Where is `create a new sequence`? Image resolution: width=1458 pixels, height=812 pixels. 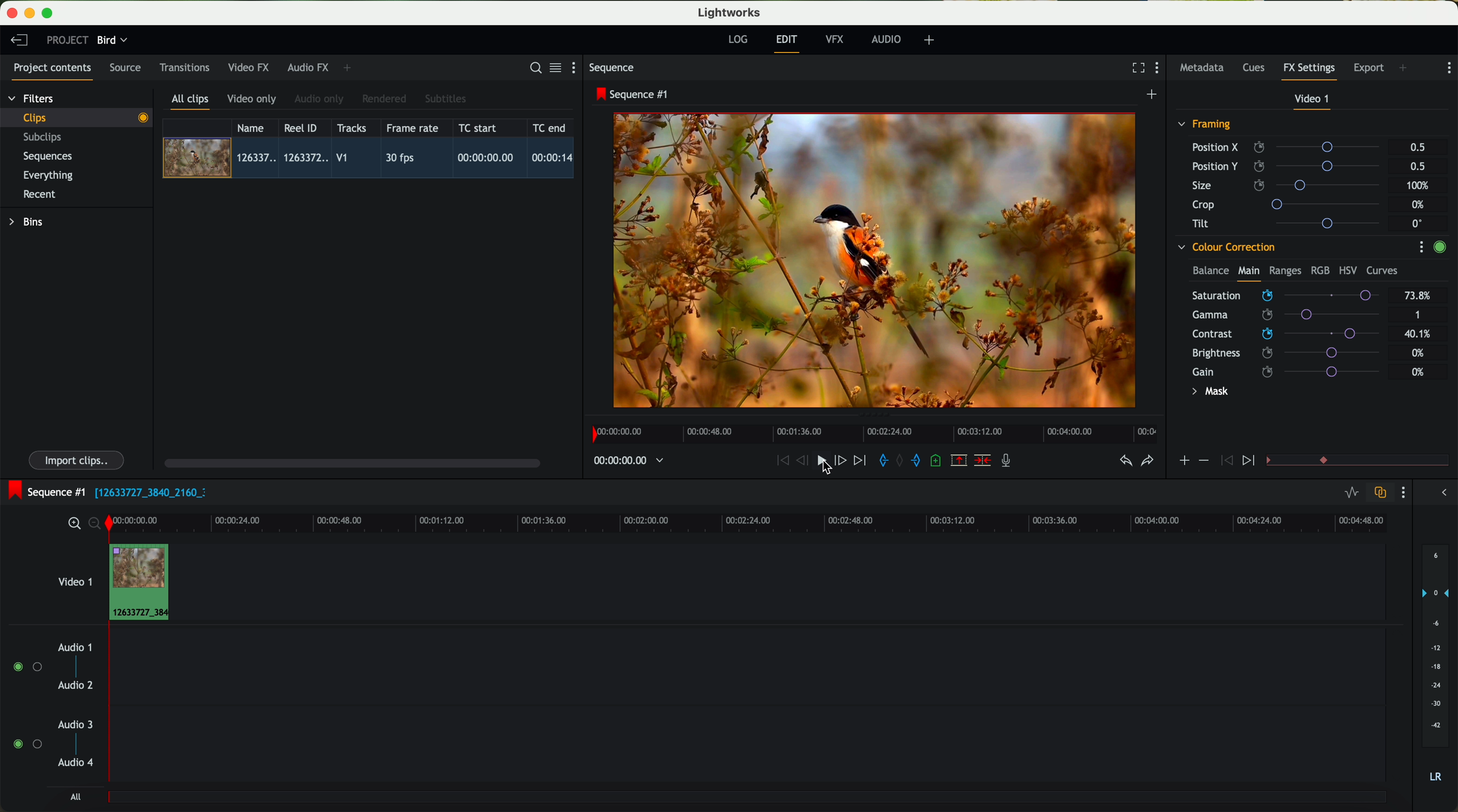
create a new sequence is located at coordinates (1153, 95).